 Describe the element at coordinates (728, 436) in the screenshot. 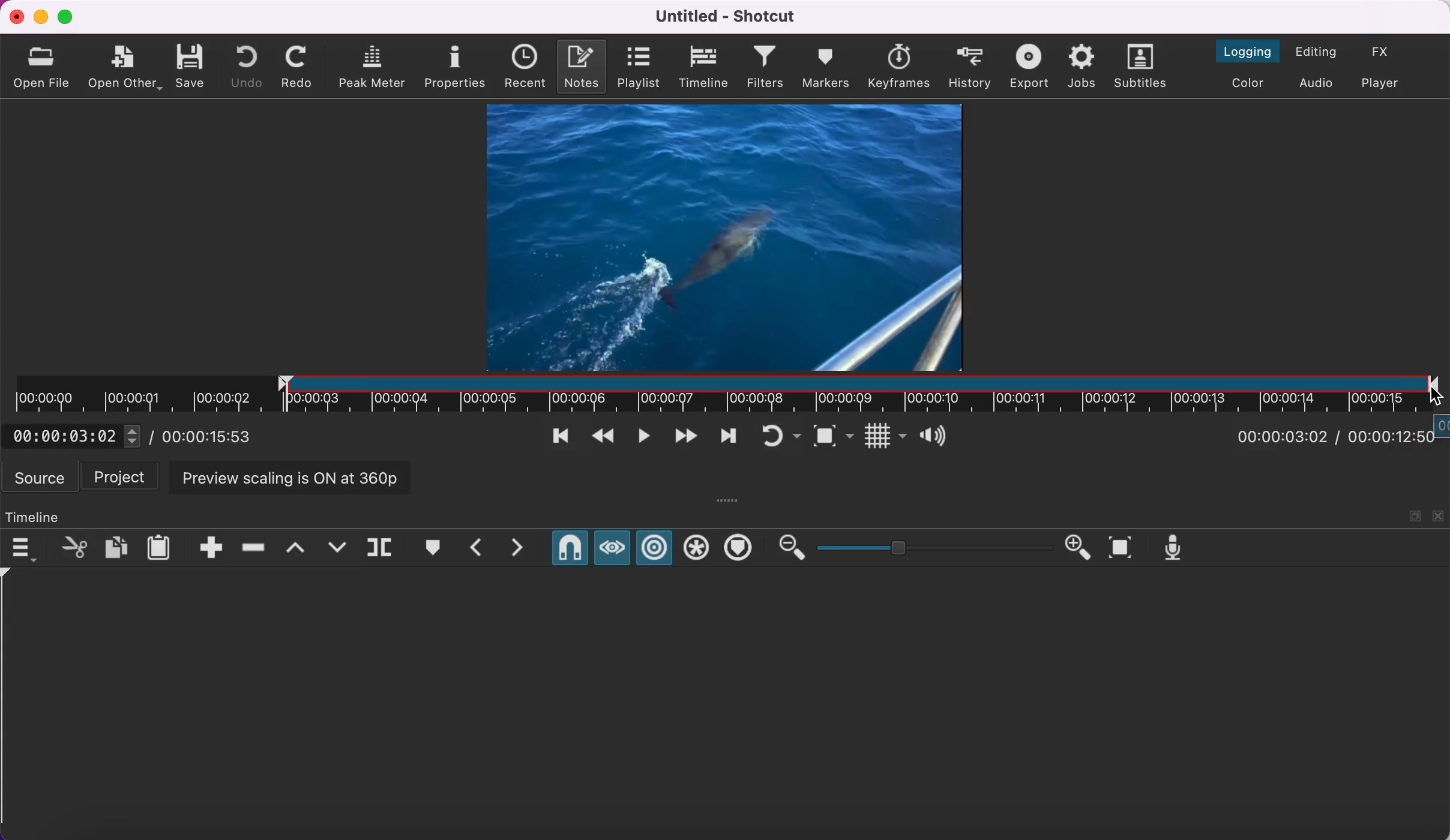

I see `skip to next point` at that location.